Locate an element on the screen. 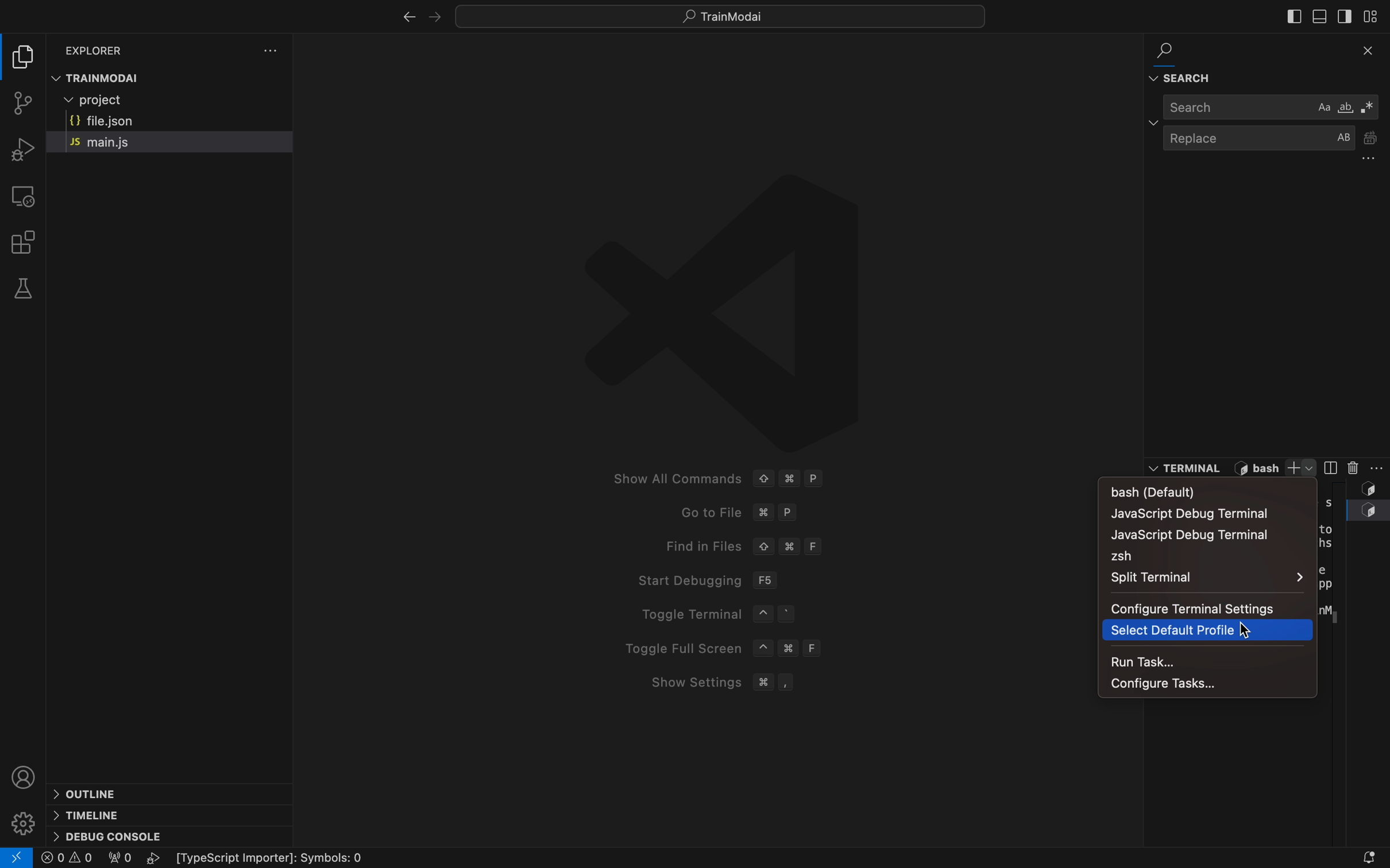 This screenshot has height=868, width=1390. arrow right is located at coordinates (439, 17).